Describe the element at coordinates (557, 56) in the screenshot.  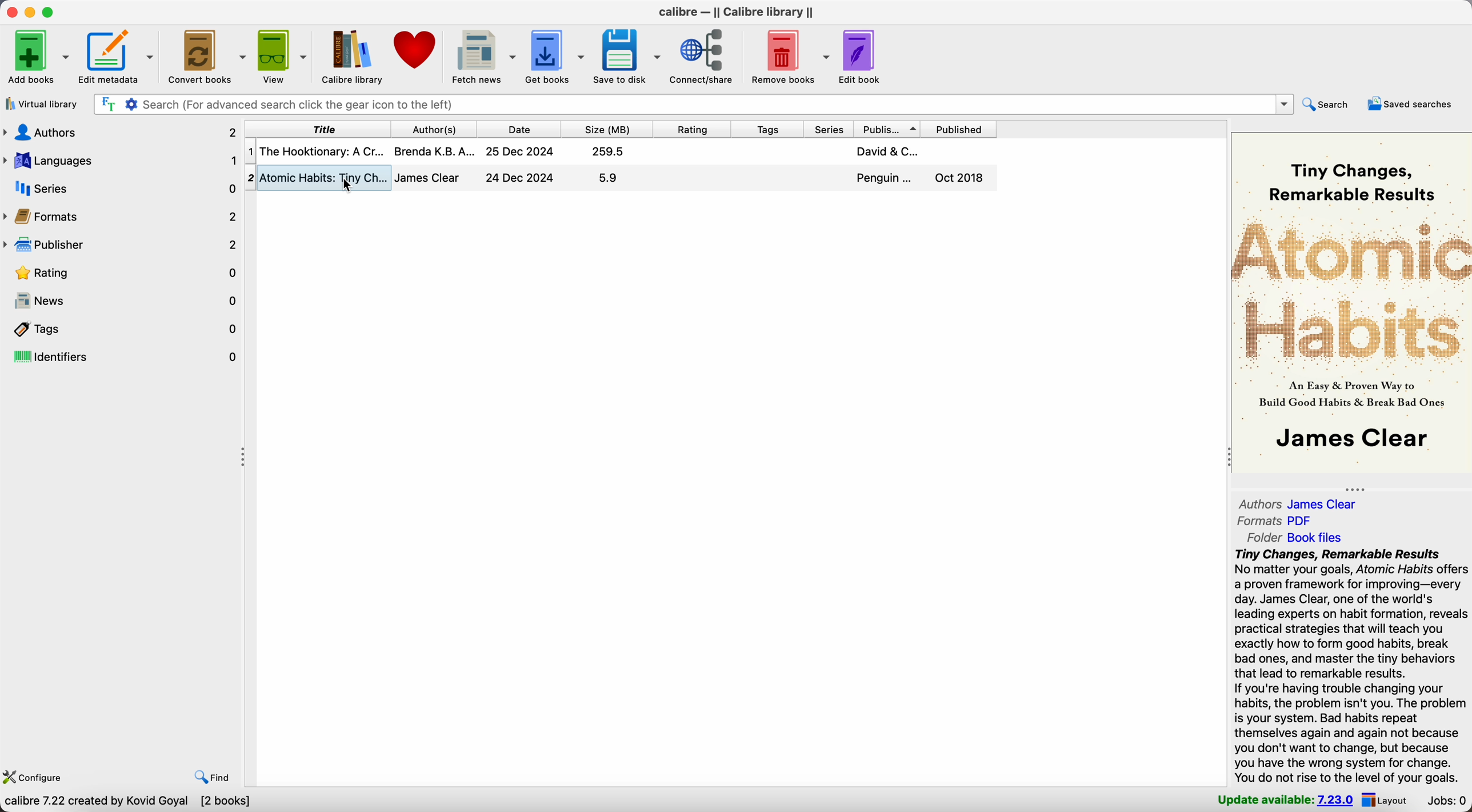
I see `get books` at that location.